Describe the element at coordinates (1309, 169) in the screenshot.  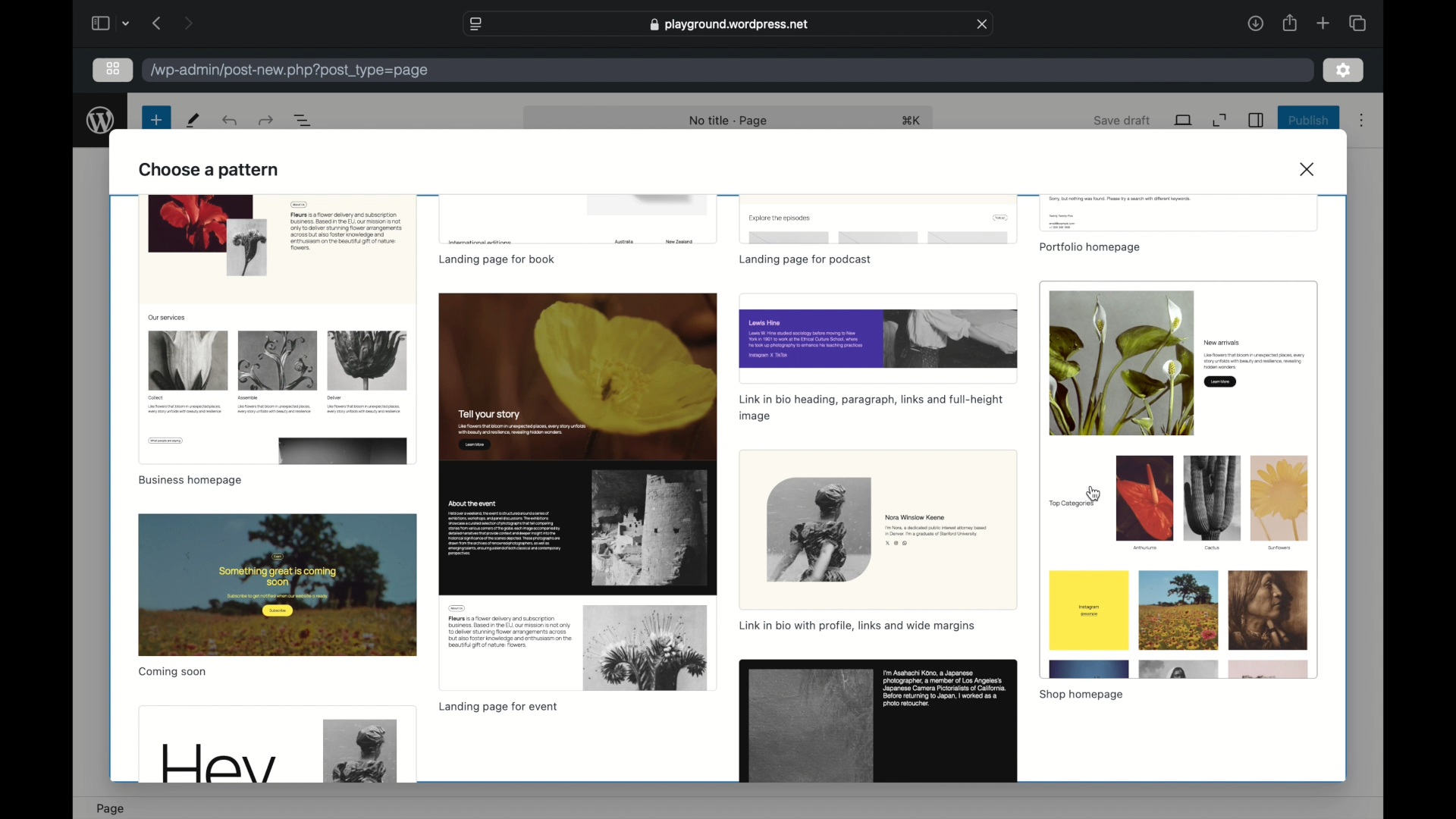
I see `close` at that location.